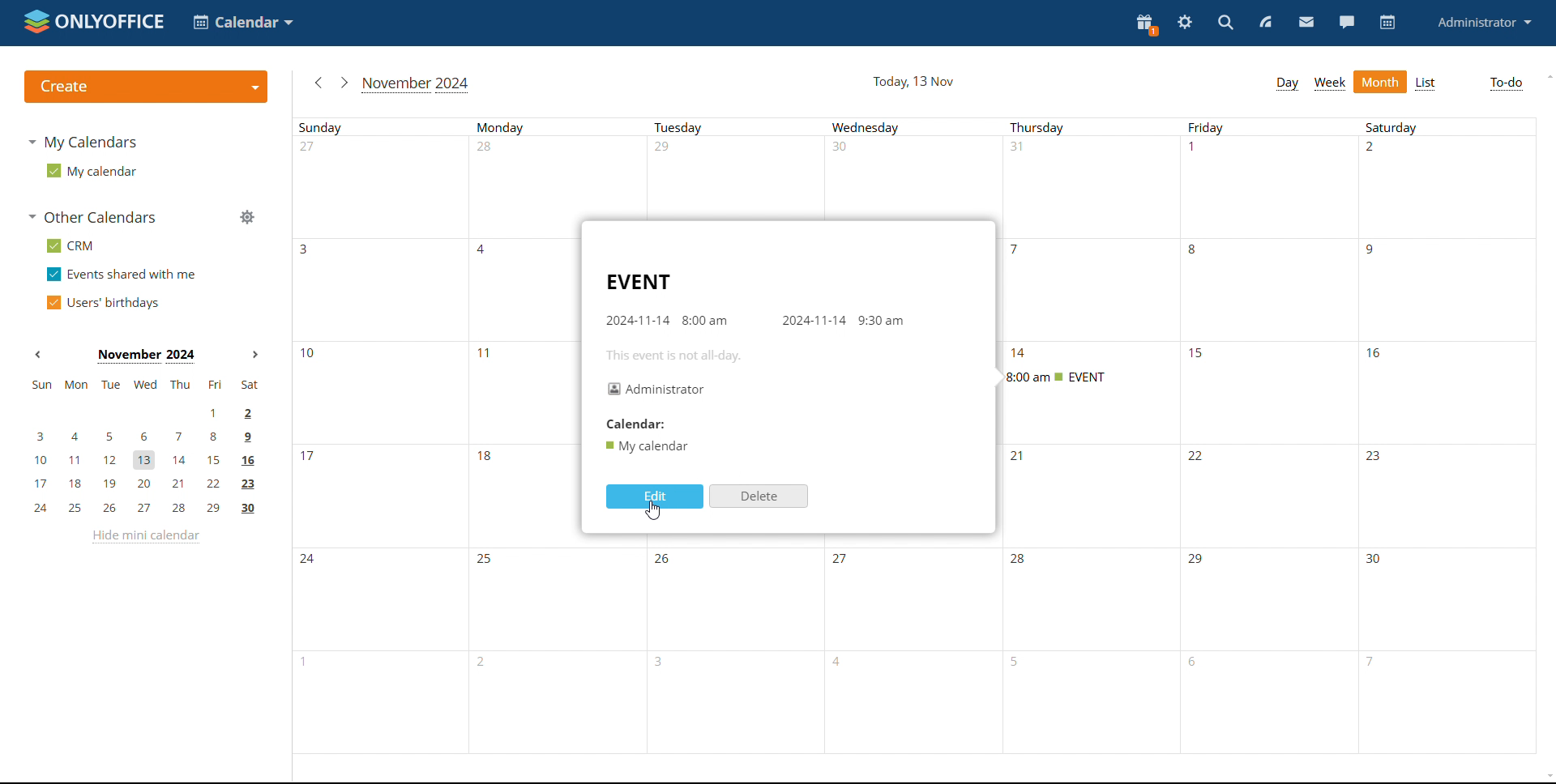 The width and height of the screenshot is (1556, 784). What do you see at coordinates (86, 143) in the screenshot?
I see `my calendars` at bounding box center [86, 143].